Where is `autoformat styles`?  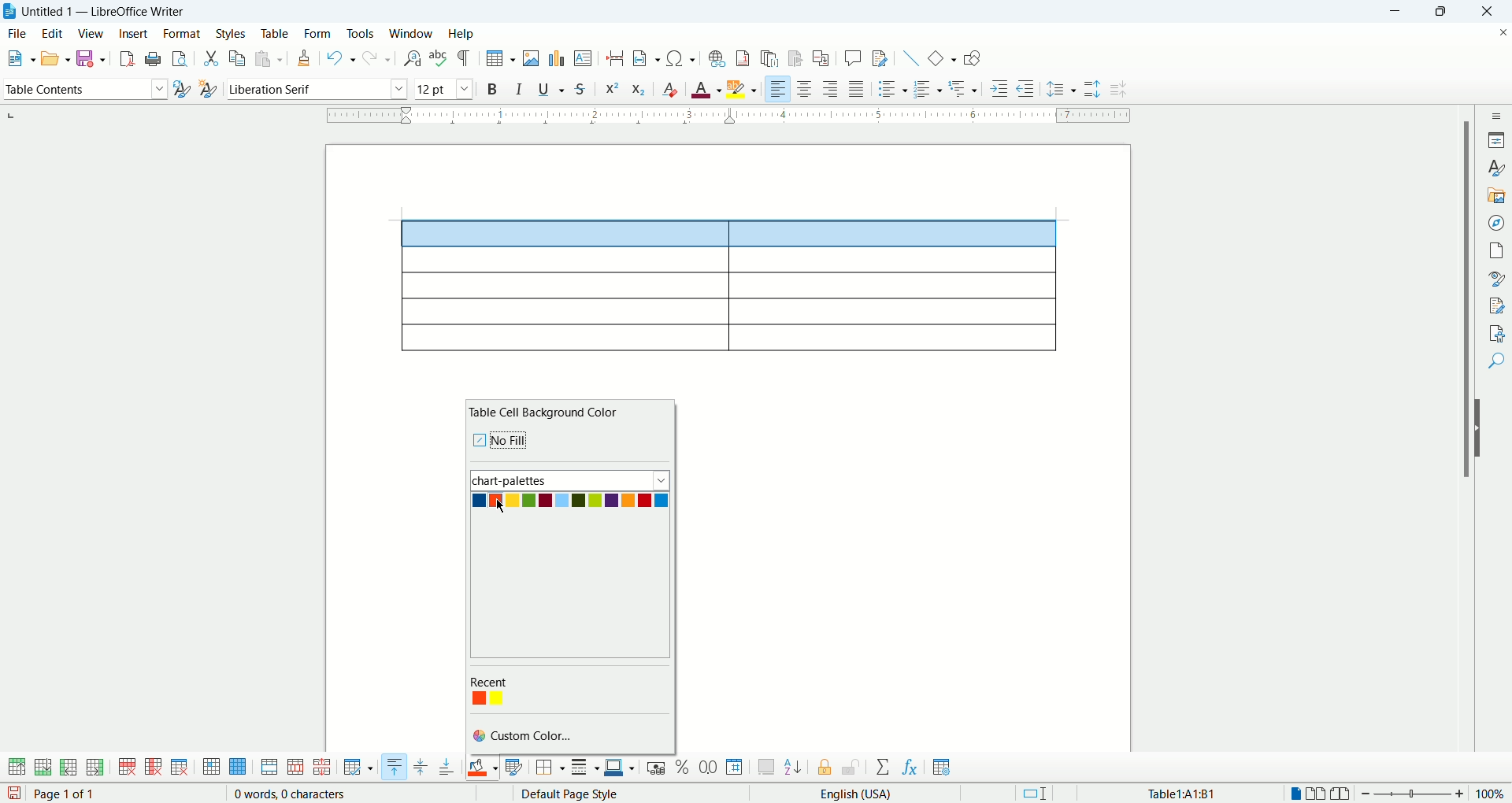 autoformat styles is located at coordinates (514, 768).